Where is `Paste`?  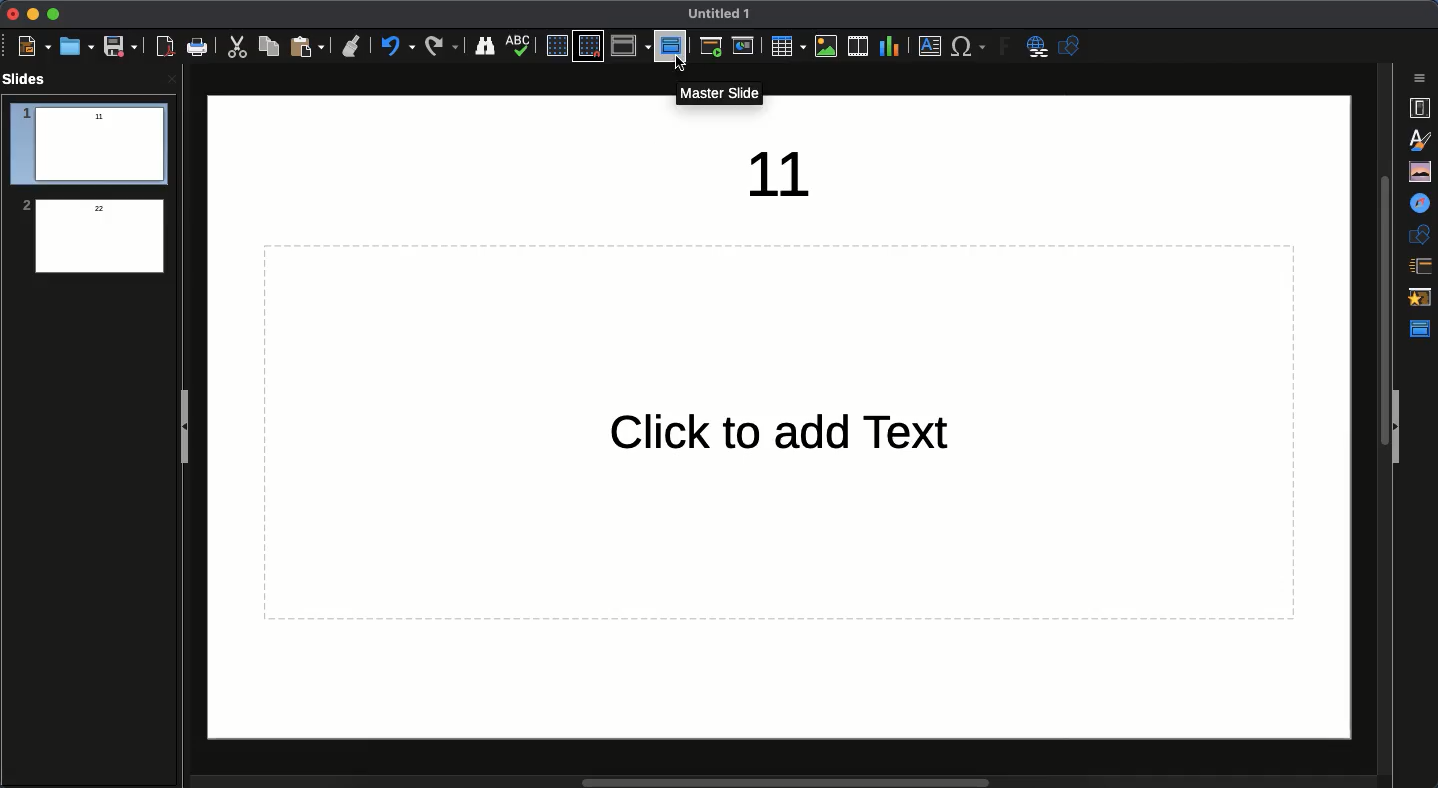 Paste is located at coordinates (309, 46).